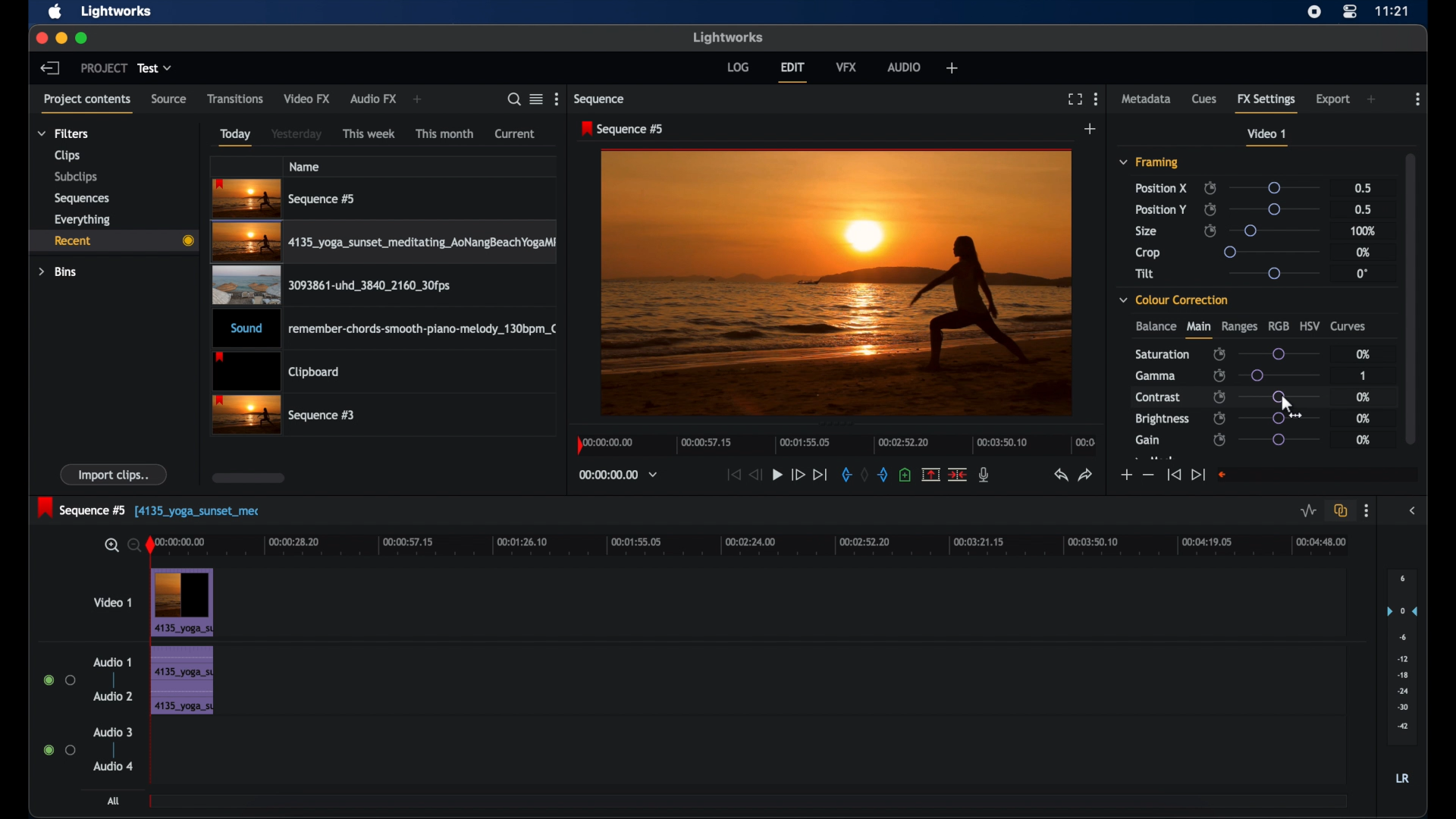  Describe the element at coordinates (1075, 99) in the screenshot. I see `full screen` at that location.